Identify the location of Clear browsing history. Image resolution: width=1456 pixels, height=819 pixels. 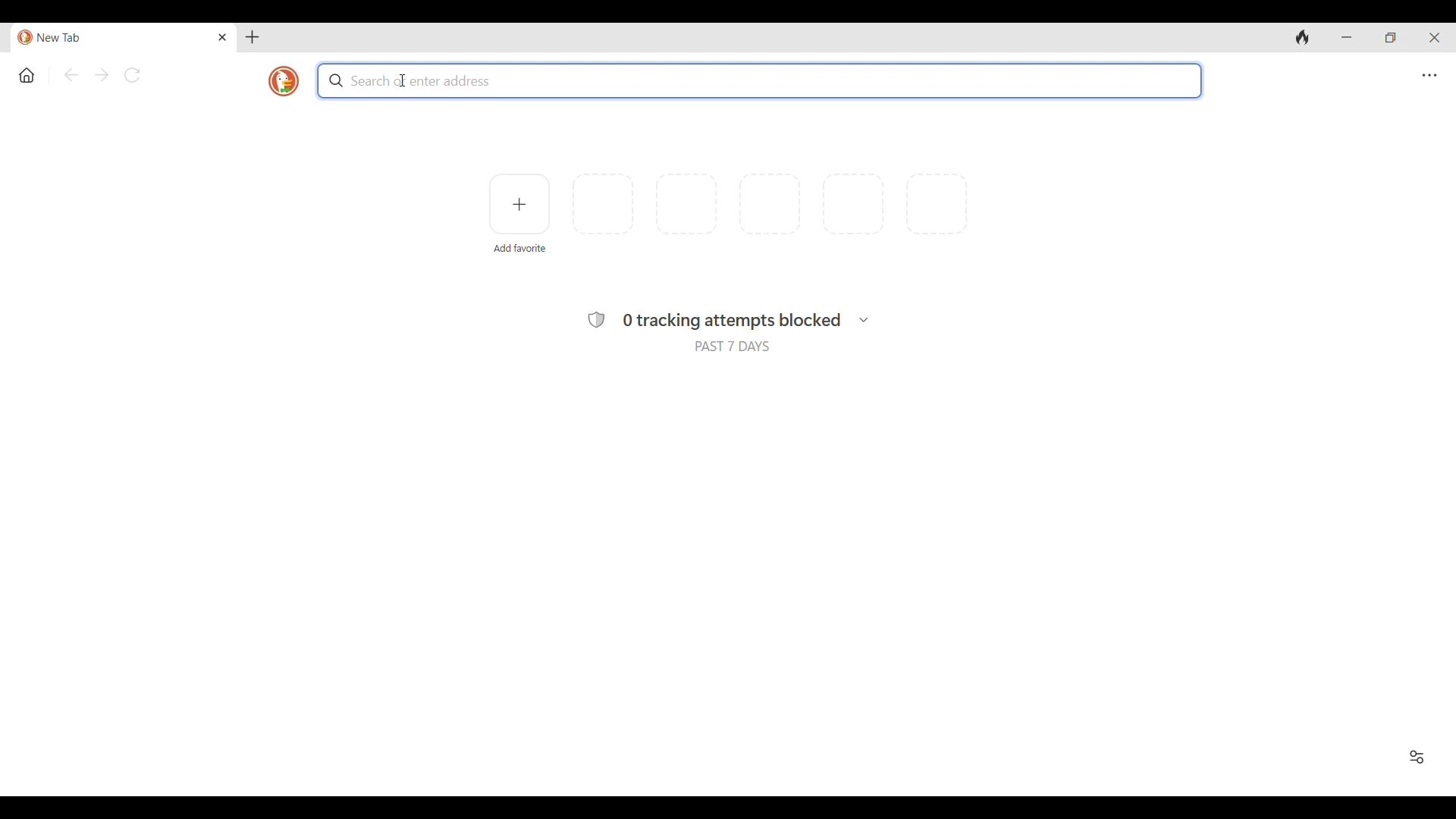
(1303, 38).